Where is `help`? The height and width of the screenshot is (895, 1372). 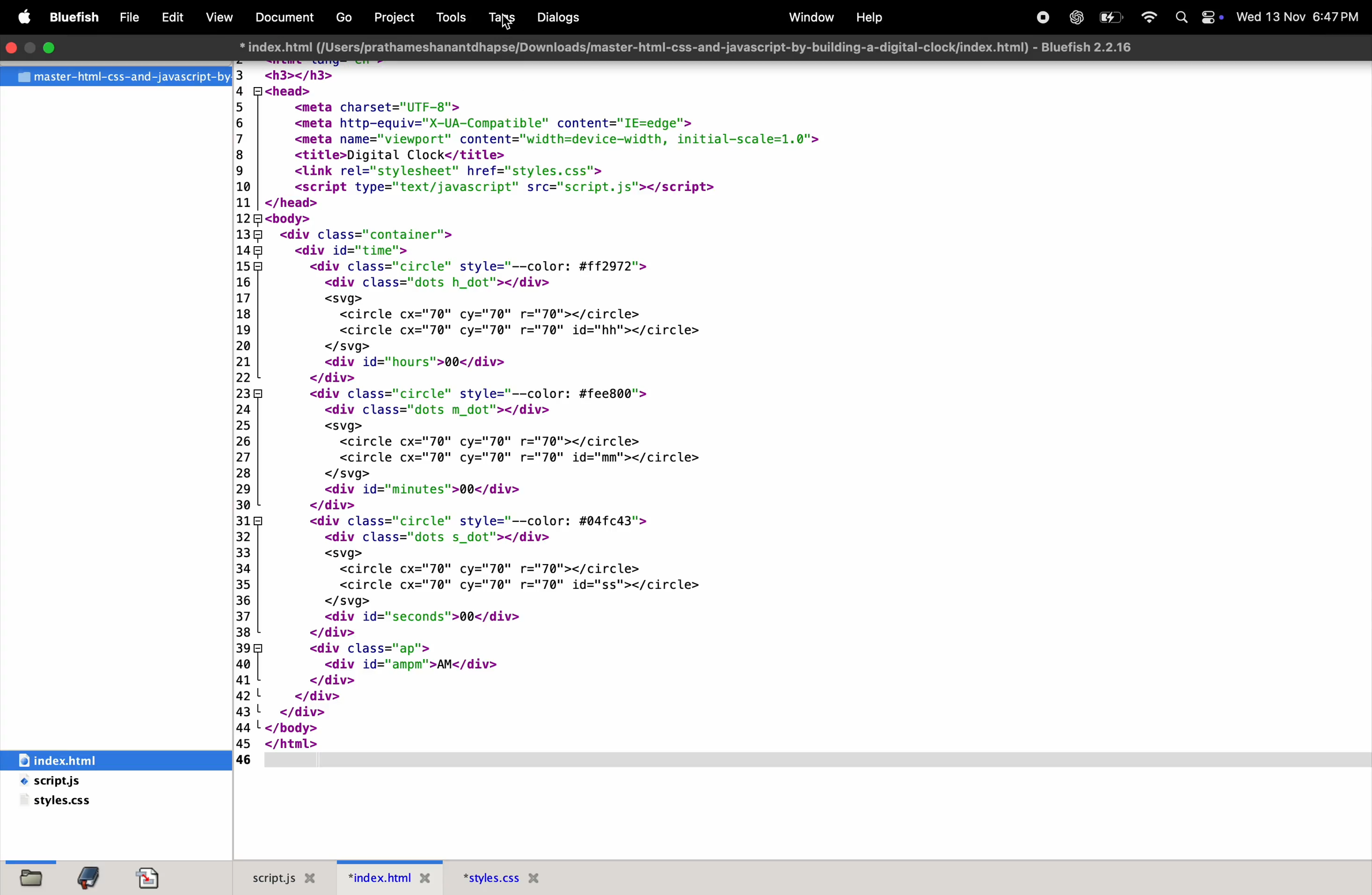 help is located at coordinates (870, 20).